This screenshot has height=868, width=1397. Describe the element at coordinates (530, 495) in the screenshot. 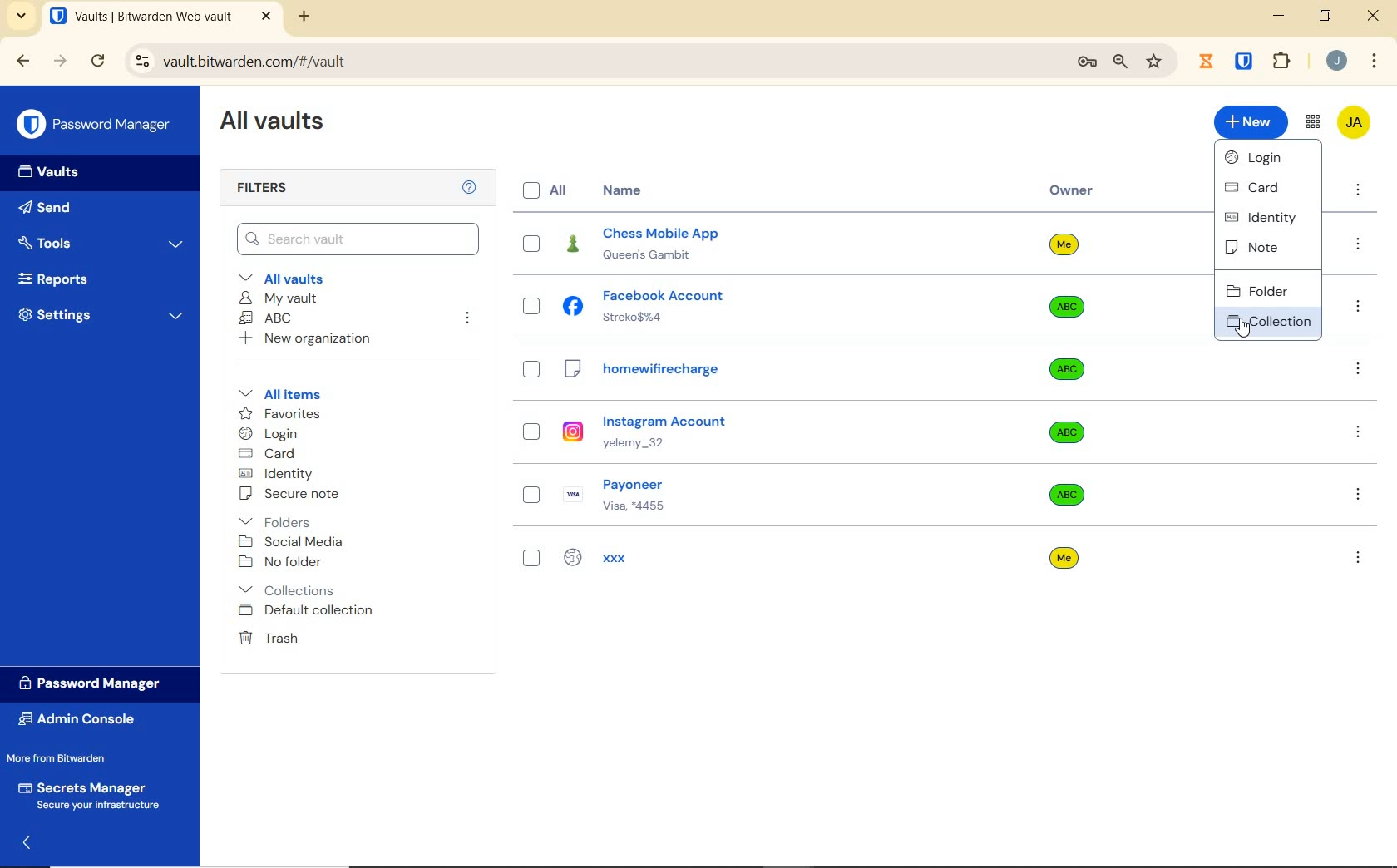

I see `select entry` at that location.